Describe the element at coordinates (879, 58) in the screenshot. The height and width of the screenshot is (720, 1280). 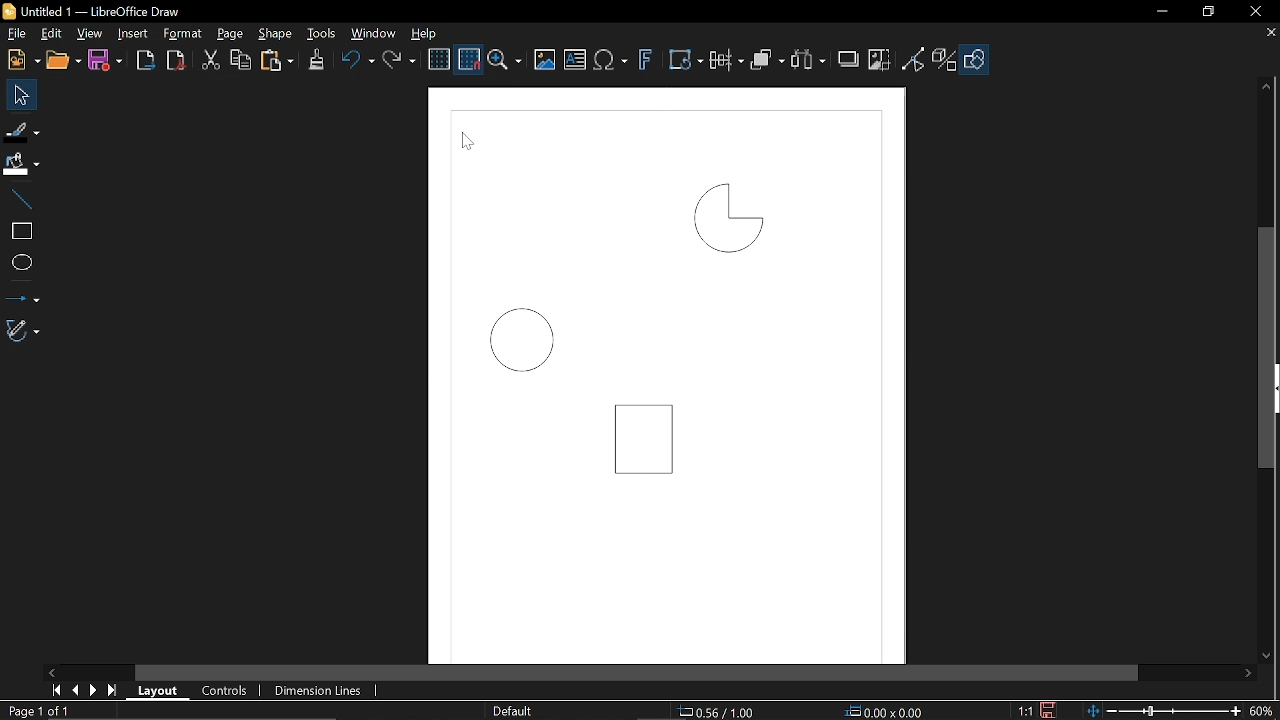
I see `Crop` at that location.